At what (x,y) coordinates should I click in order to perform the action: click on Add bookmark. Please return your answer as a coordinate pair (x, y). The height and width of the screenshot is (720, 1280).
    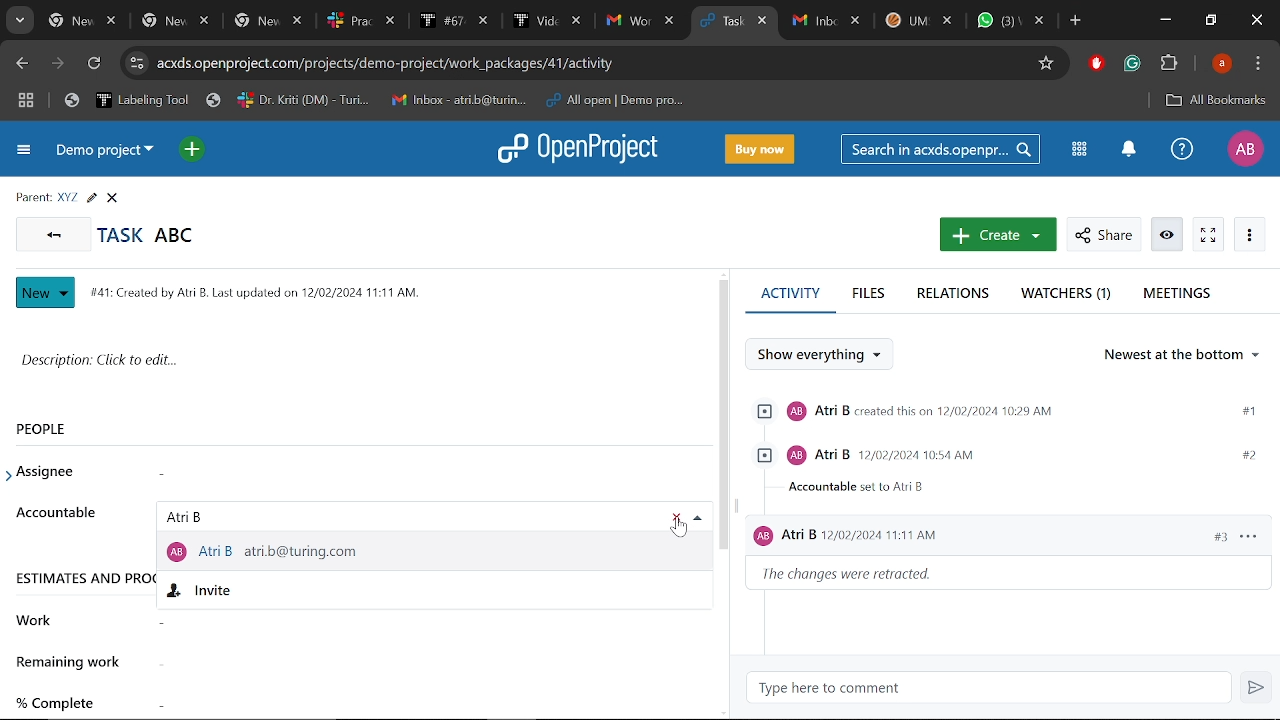
    Looking at the image, I should click on (1049, 64).